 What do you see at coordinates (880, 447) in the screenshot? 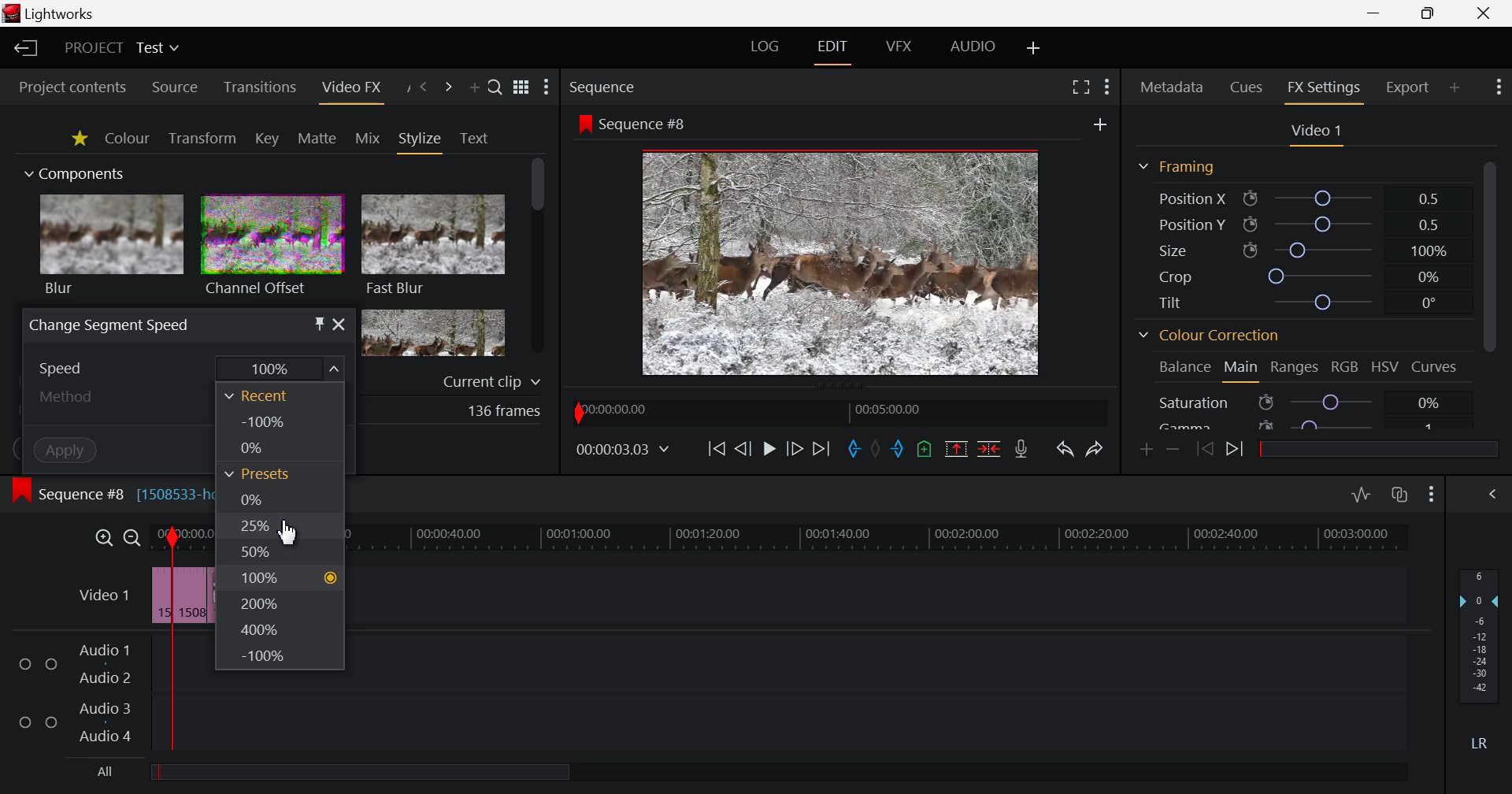
I see `Remove all marks` at bounding box center [880, 447].